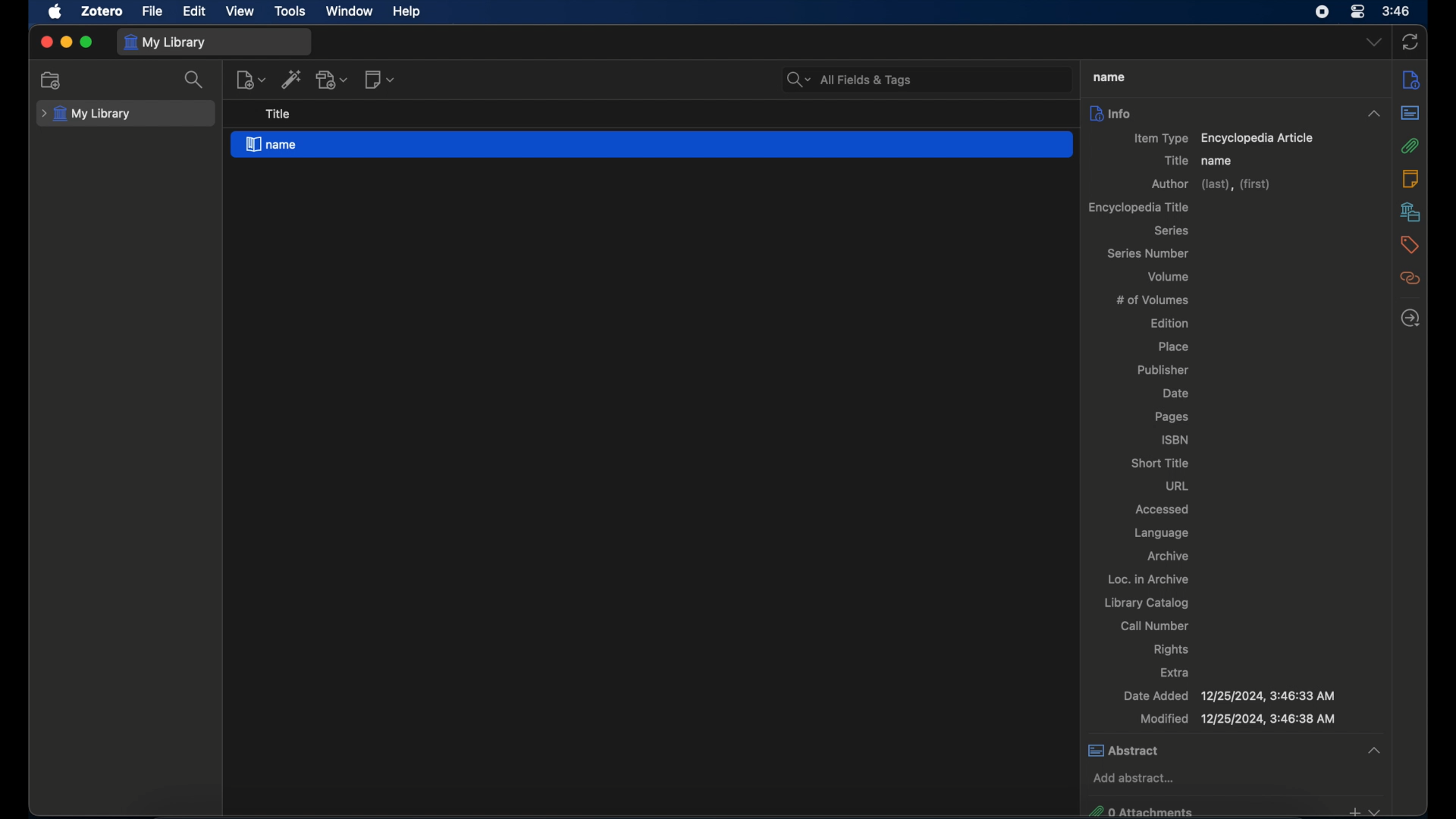  What do you see at coordinates (379, 80) in the screenshot?
I see `new note` at bounding box center [379, 80].